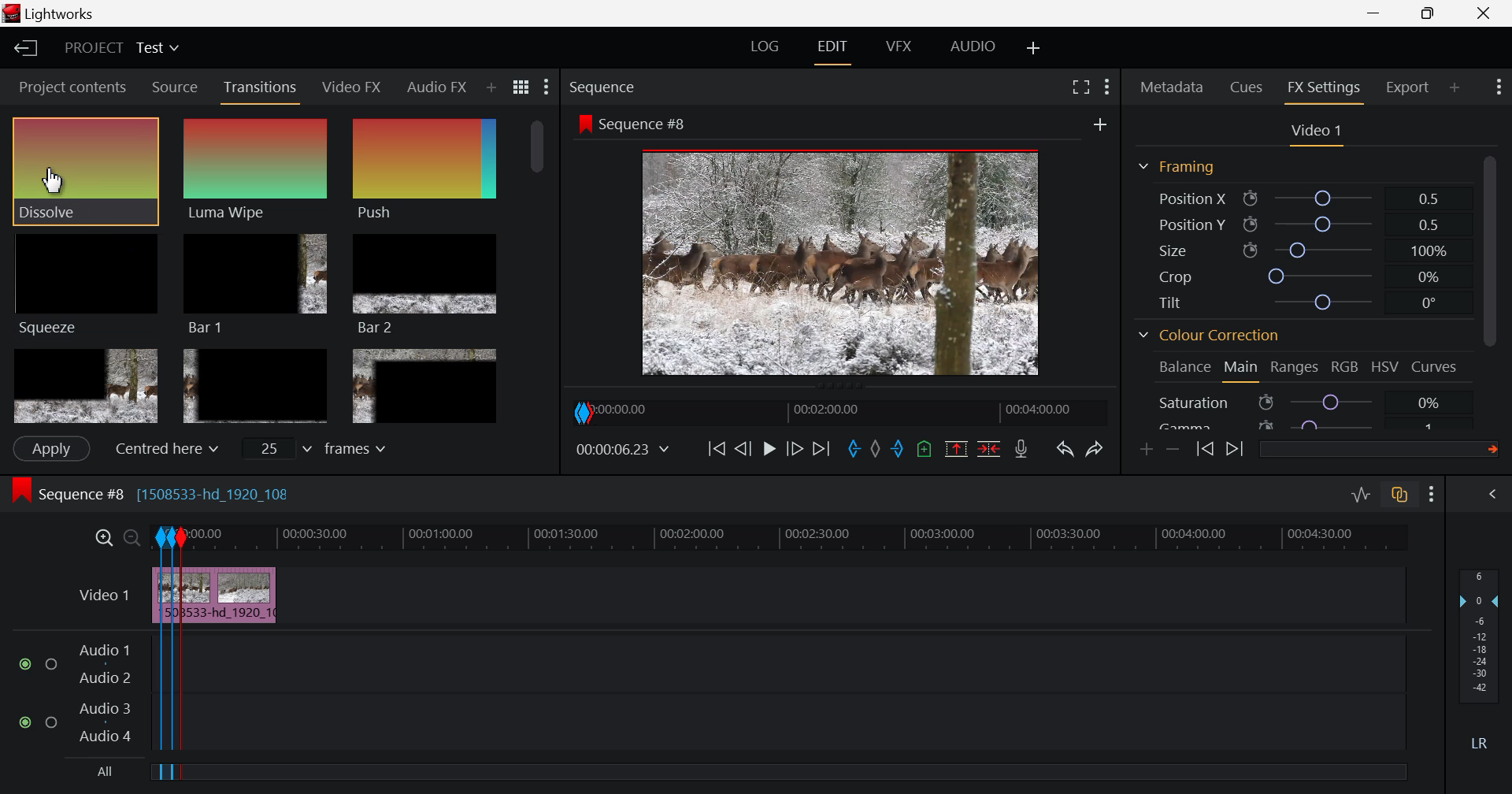 Image resolution: width=1512 pixels, height=794 pixels. What do you see at coordinates (1172, 87) in the screenshot?
I see `Metadata Tab` at bounding box center [1172, 87].